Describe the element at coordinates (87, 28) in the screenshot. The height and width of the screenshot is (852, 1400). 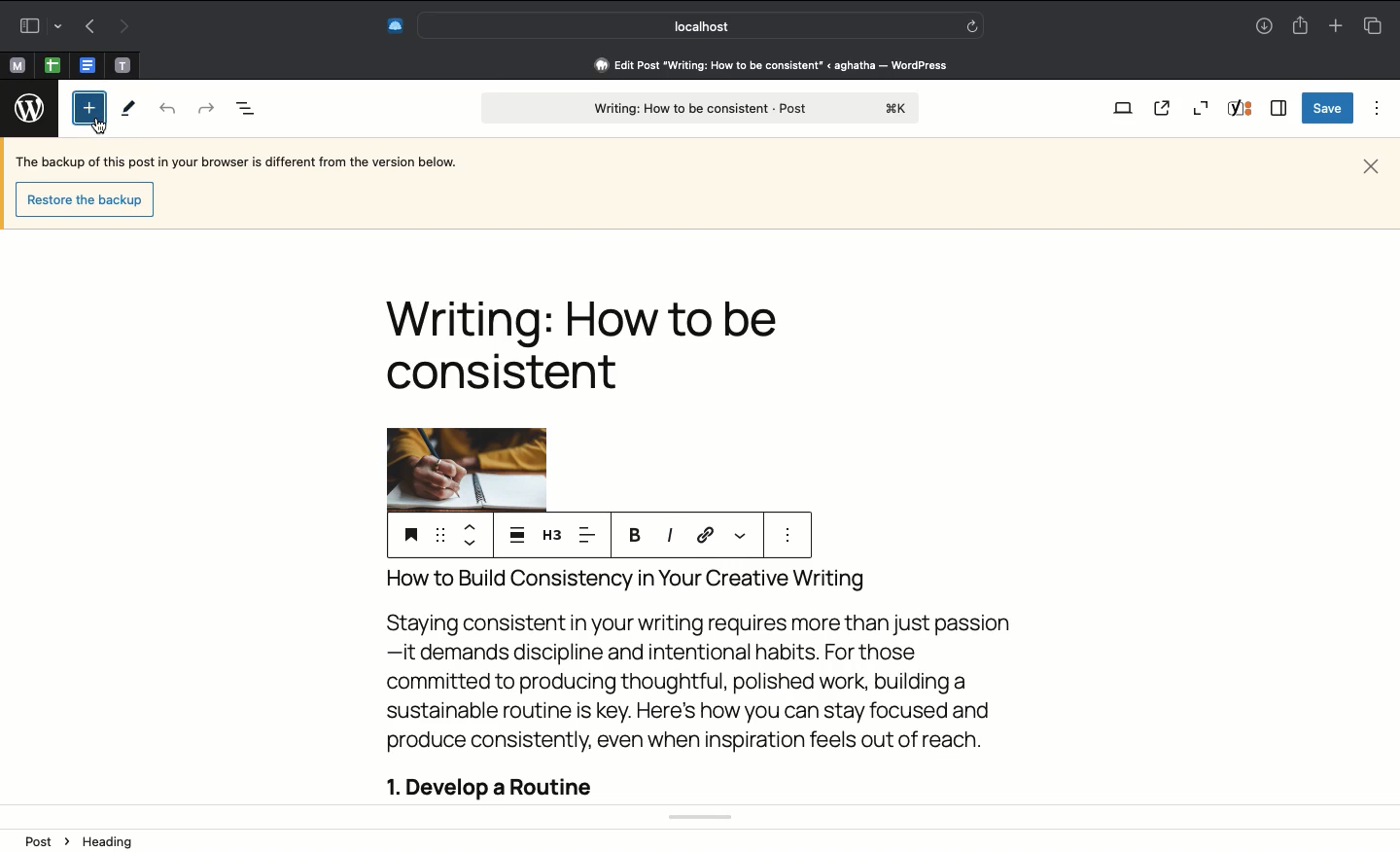
I see `Previous page` at that location.